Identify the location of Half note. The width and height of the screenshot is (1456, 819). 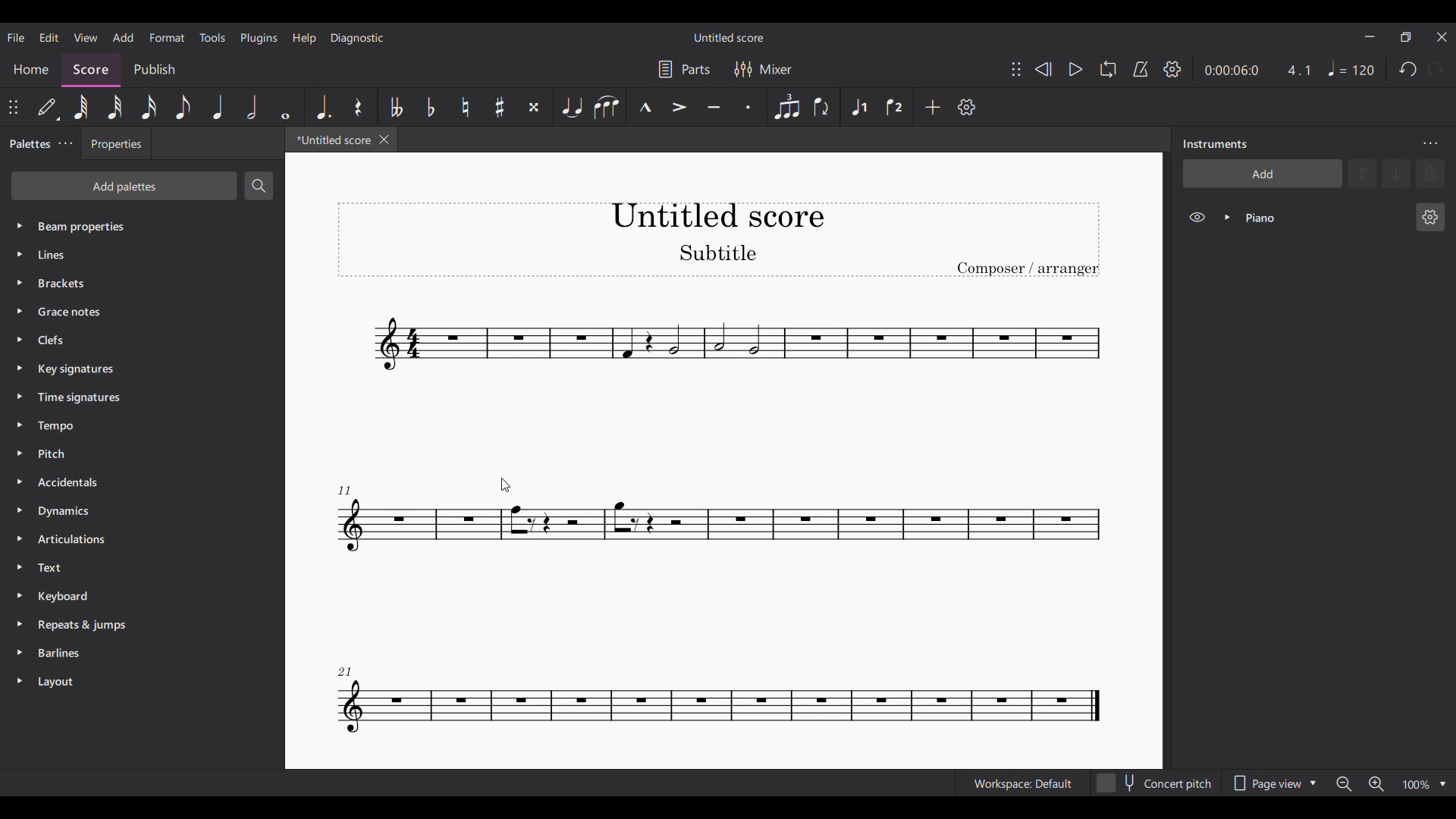
(252, 107).